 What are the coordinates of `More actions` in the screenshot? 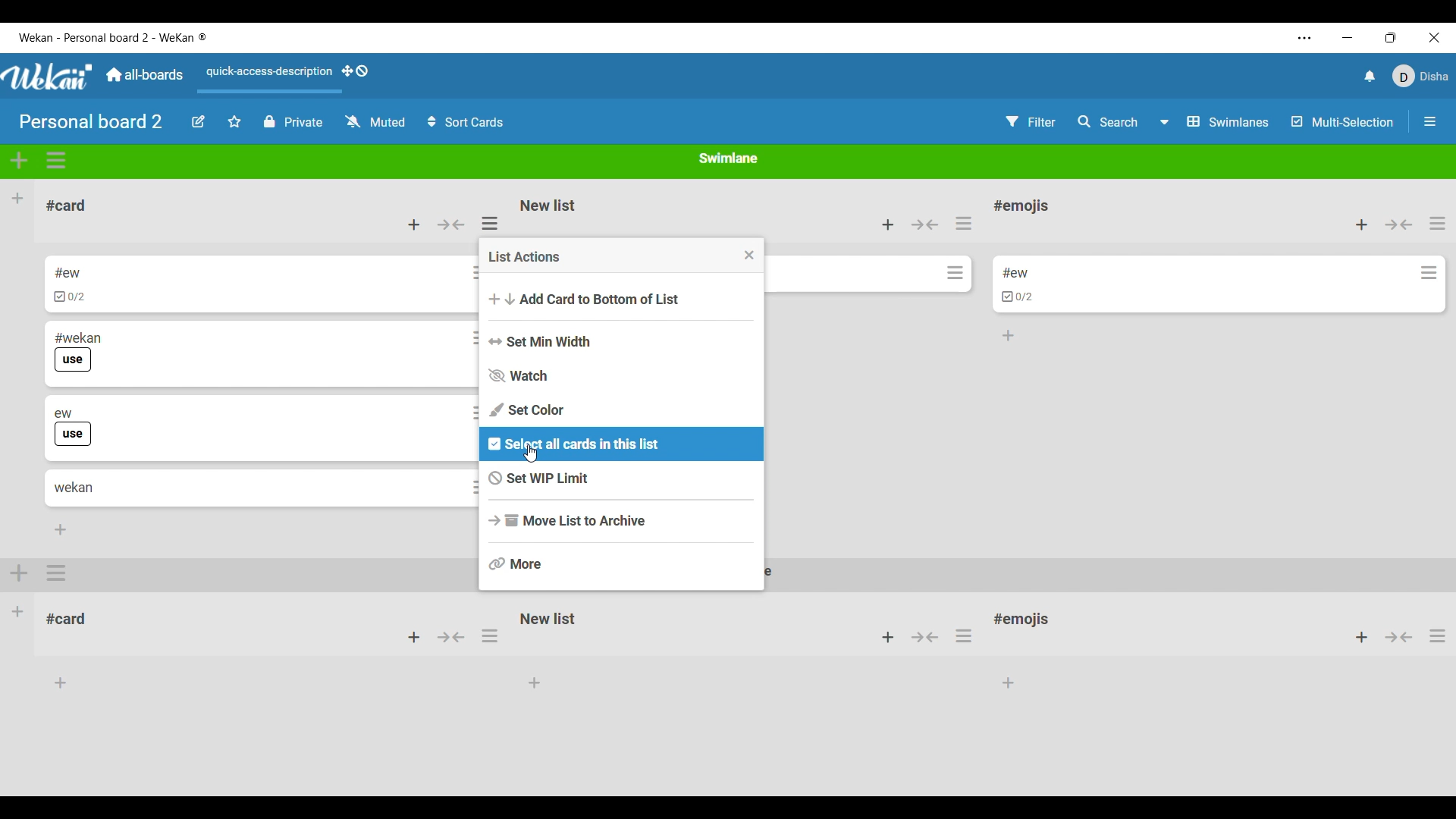 It's located at (623, 563).